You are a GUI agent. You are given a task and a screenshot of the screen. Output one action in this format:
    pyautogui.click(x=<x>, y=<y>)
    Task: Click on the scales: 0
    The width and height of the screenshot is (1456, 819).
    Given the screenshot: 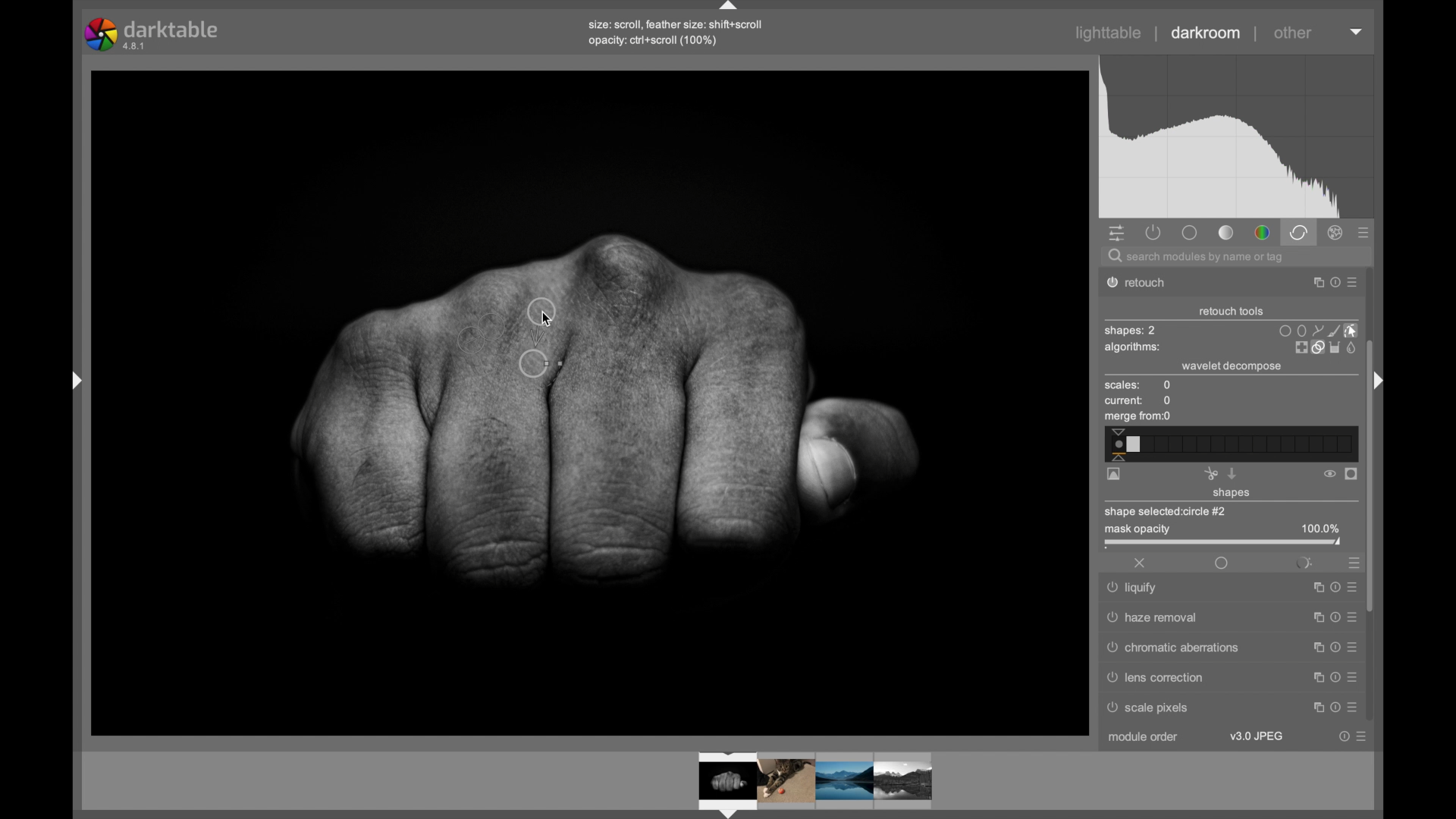 What is the action you would take?
    pyautogui.click(x=1138, y=386)
    